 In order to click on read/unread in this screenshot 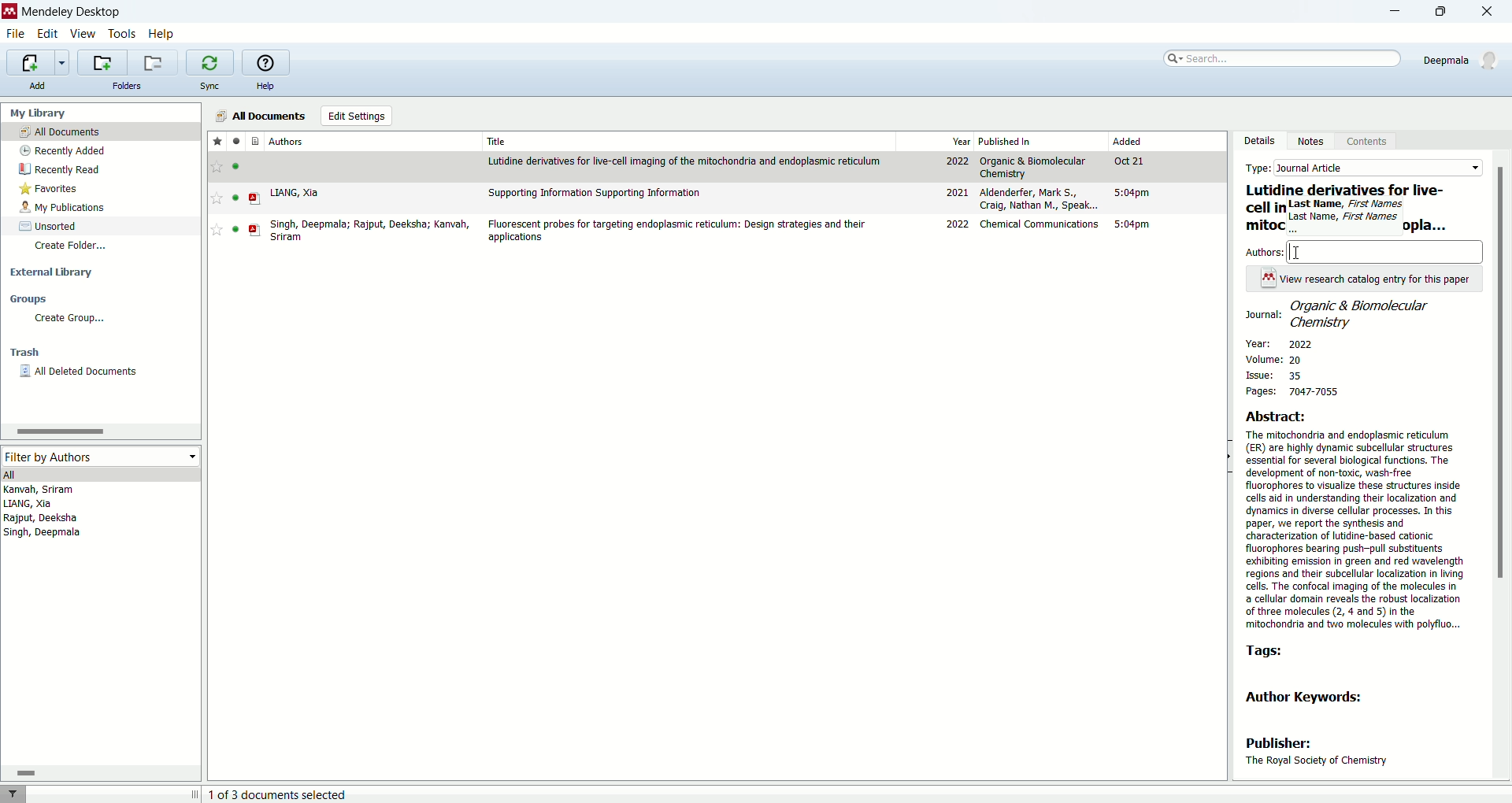, I will do `click(236, 142)`.